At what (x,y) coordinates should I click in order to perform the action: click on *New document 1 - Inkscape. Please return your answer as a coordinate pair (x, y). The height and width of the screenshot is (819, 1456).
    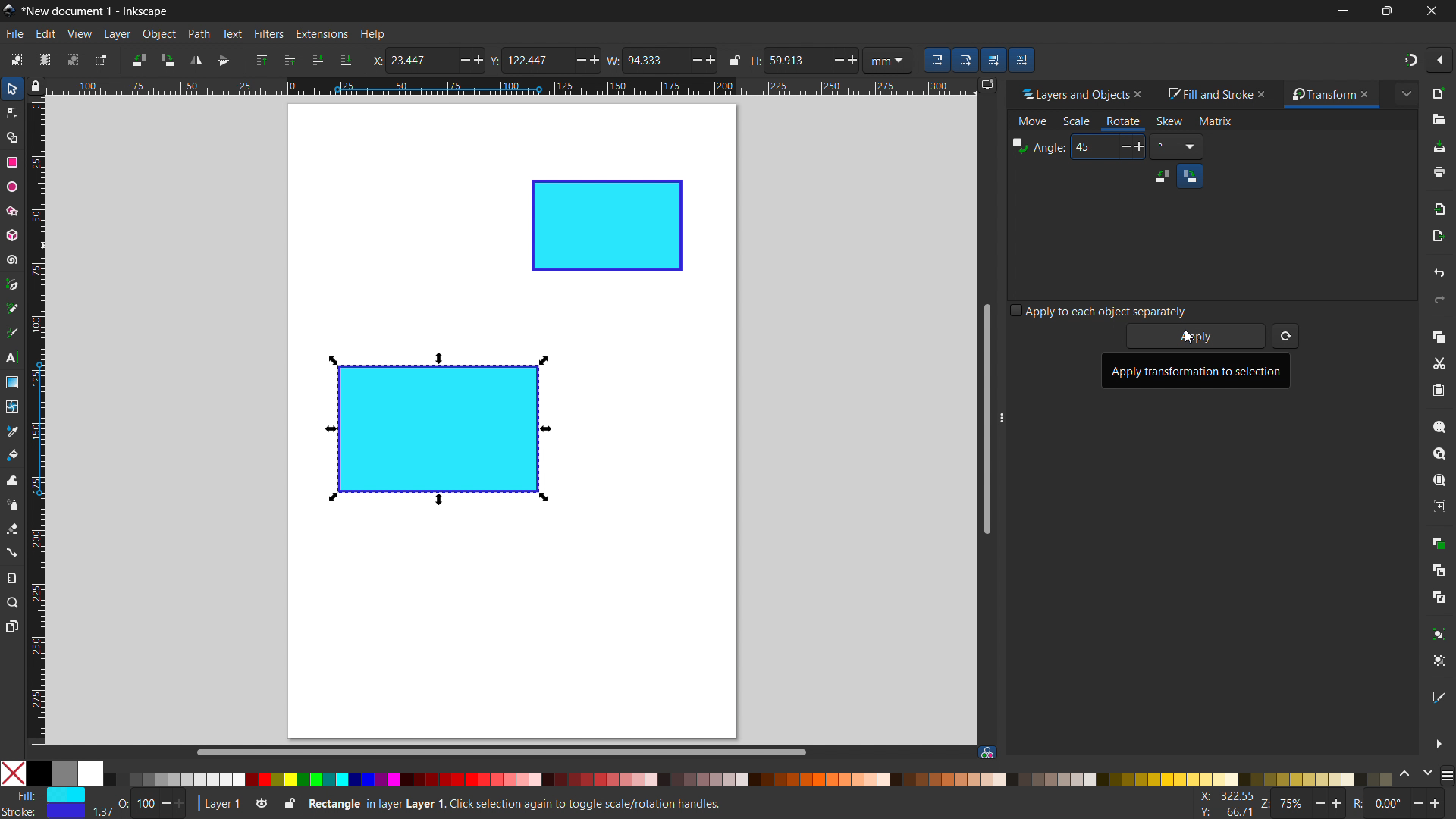
    Looking at the image, I should click on (96, 11).